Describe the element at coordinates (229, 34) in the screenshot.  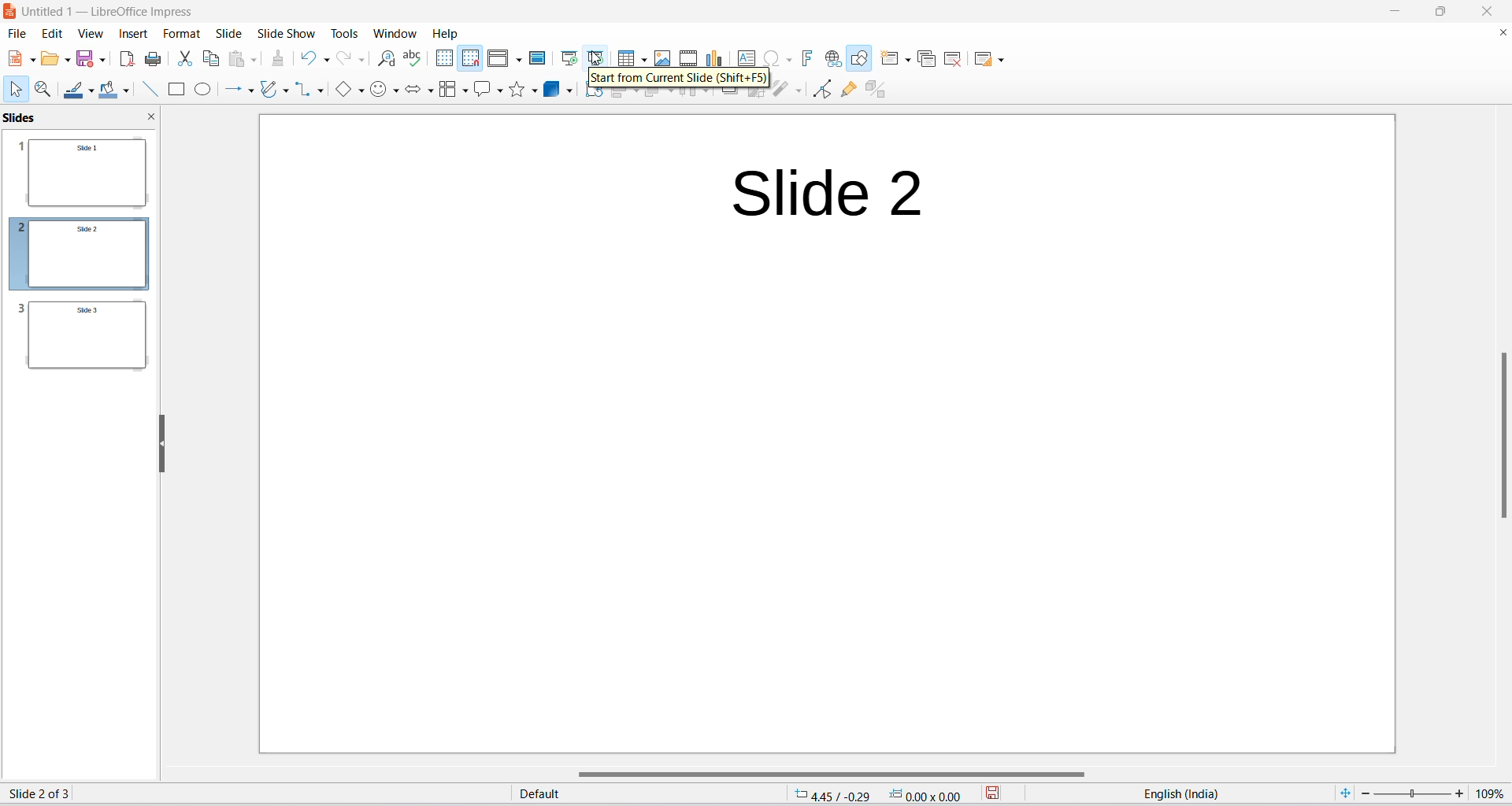
I see `slide` at that location.